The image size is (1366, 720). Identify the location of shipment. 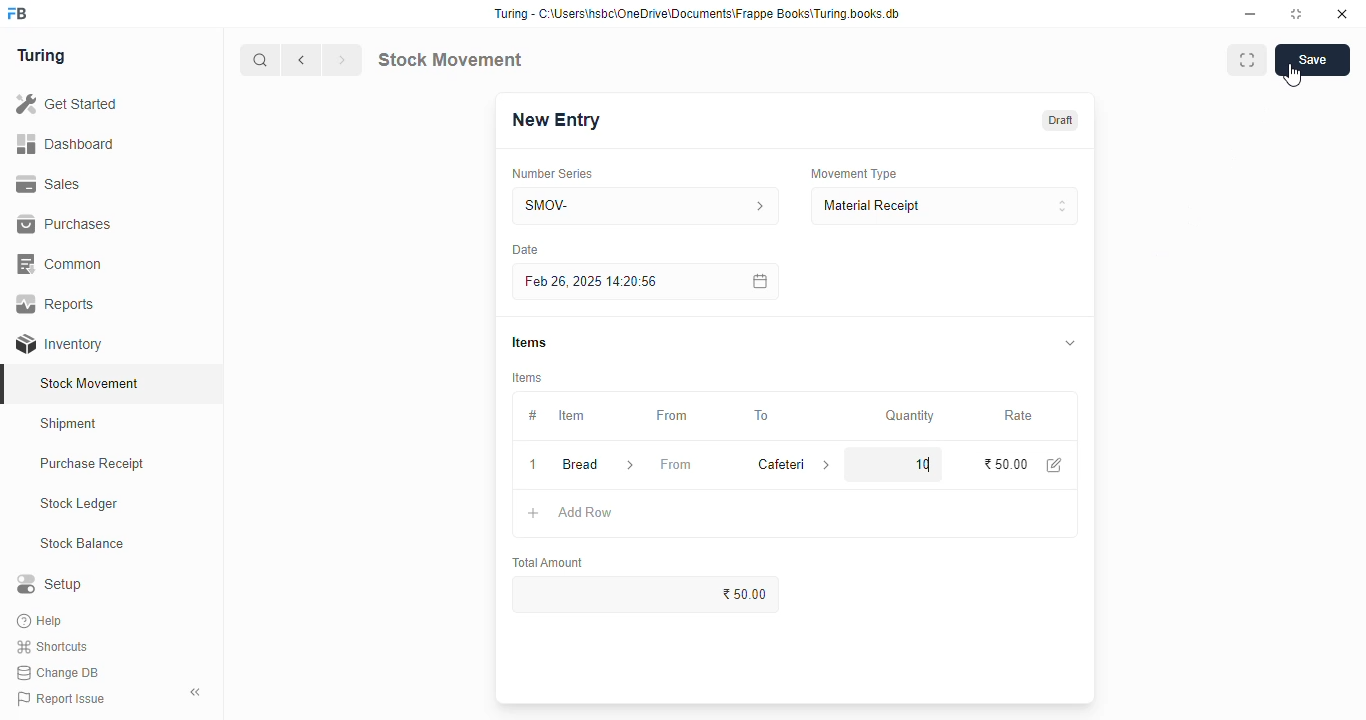
(69, 424).